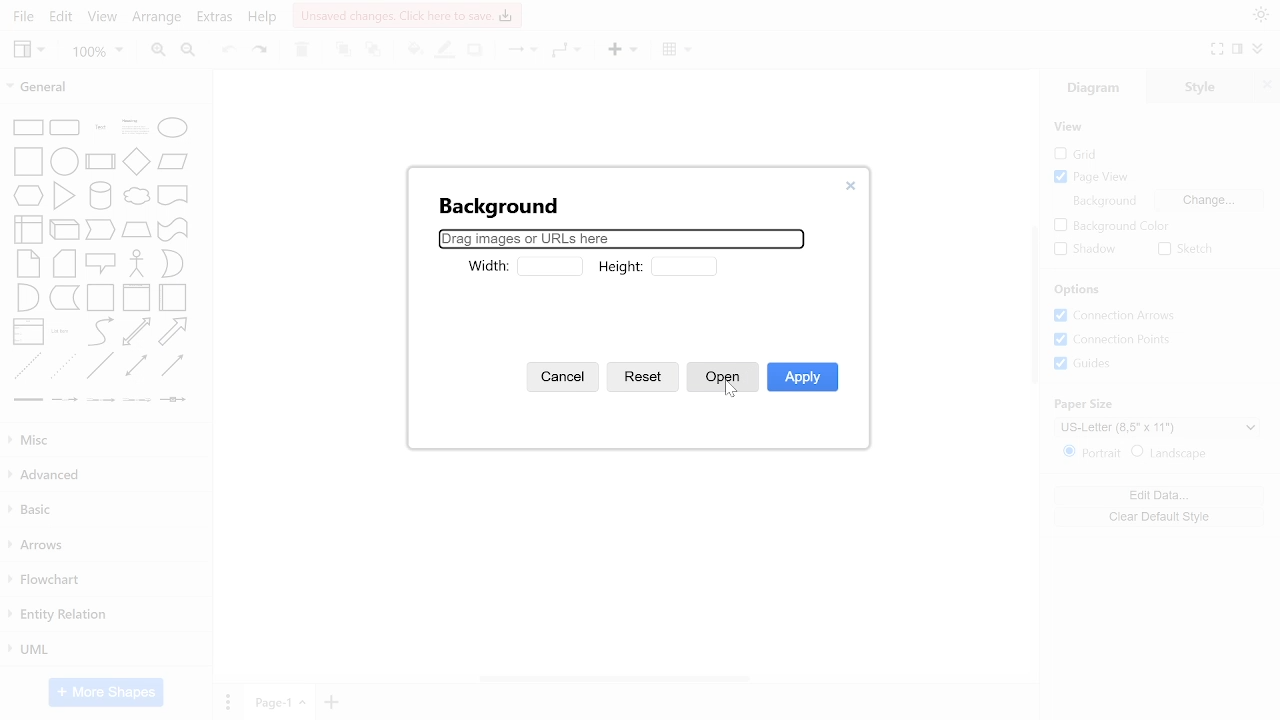 Image resolution: width=1280 pixels, height=720 pixels. Describe the element at coordinates (616, 678) in the screenshot. I see `horizontal scrollbar` at that location.